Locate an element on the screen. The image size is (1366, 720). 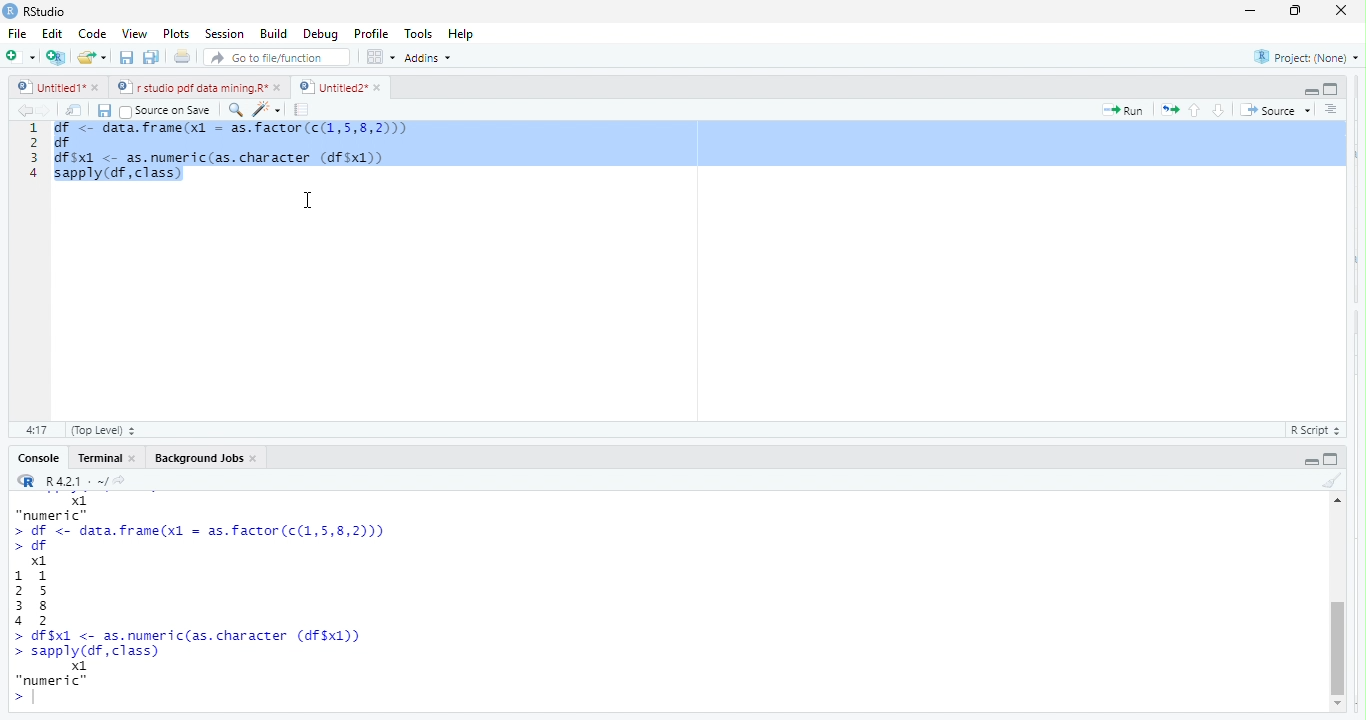
df data frame (x) = as factor c(1,5,8,2))) df essdf $x1 <- as.numertctas. character (4f$x1))sapply (df, class) is located at coordinates (706, 152).